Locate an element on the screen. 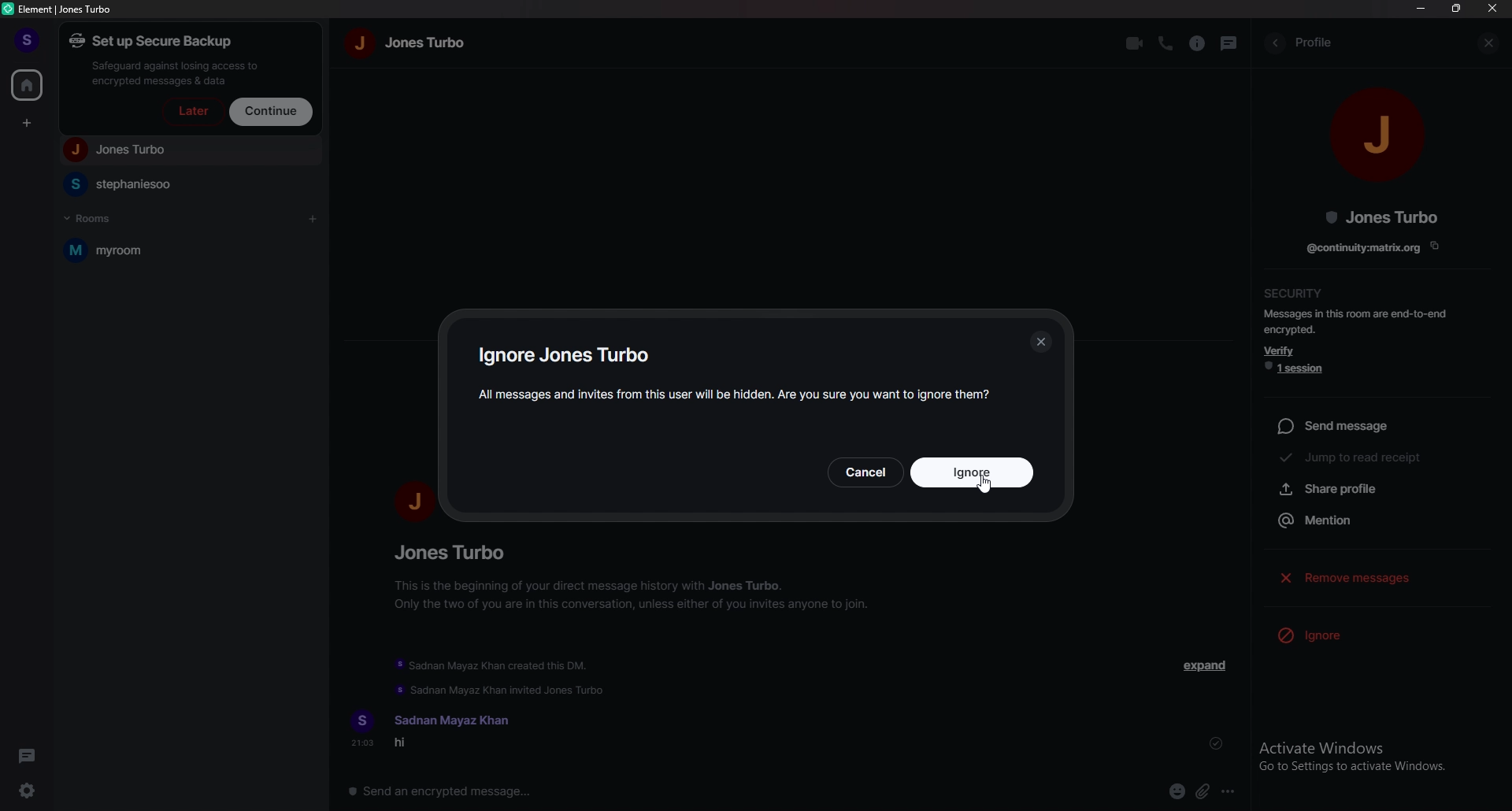 This screenshot has width=1512, height=811. video call is located at coordinates (1133, 43).